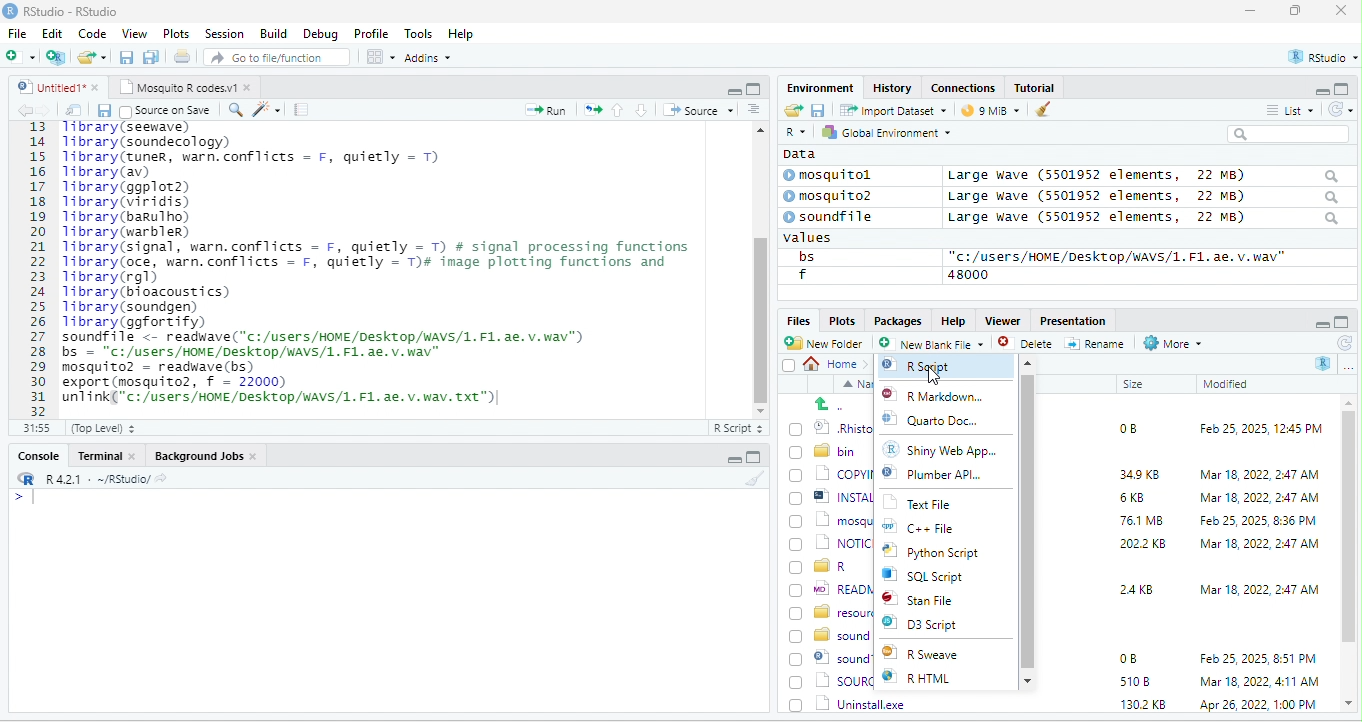 Image resolution: width=1362 pixels, height=722 pixels. I want to click on clases, so click(965, 86).